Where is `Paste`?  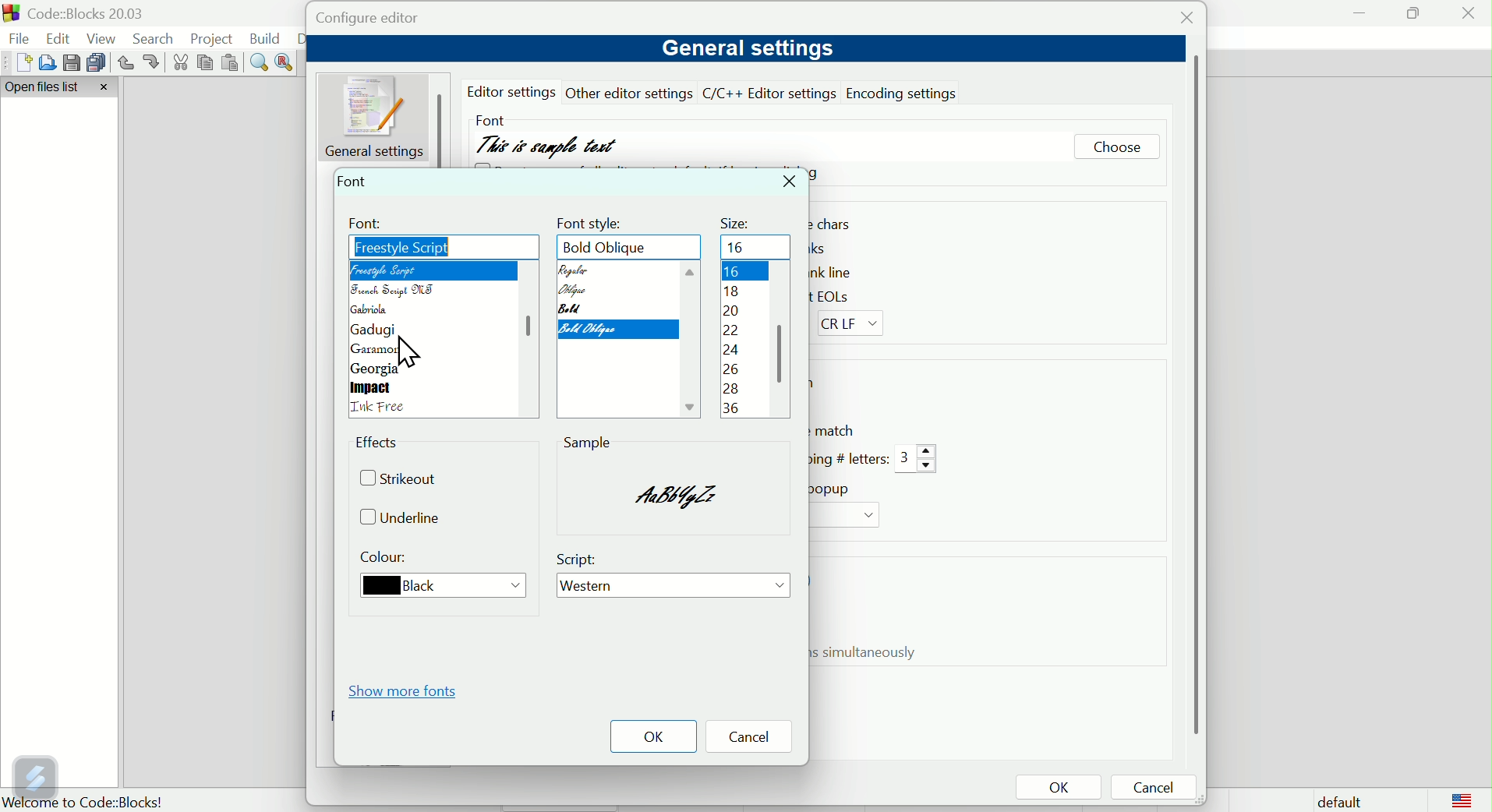
Paste is located at coordinates (232, 63).